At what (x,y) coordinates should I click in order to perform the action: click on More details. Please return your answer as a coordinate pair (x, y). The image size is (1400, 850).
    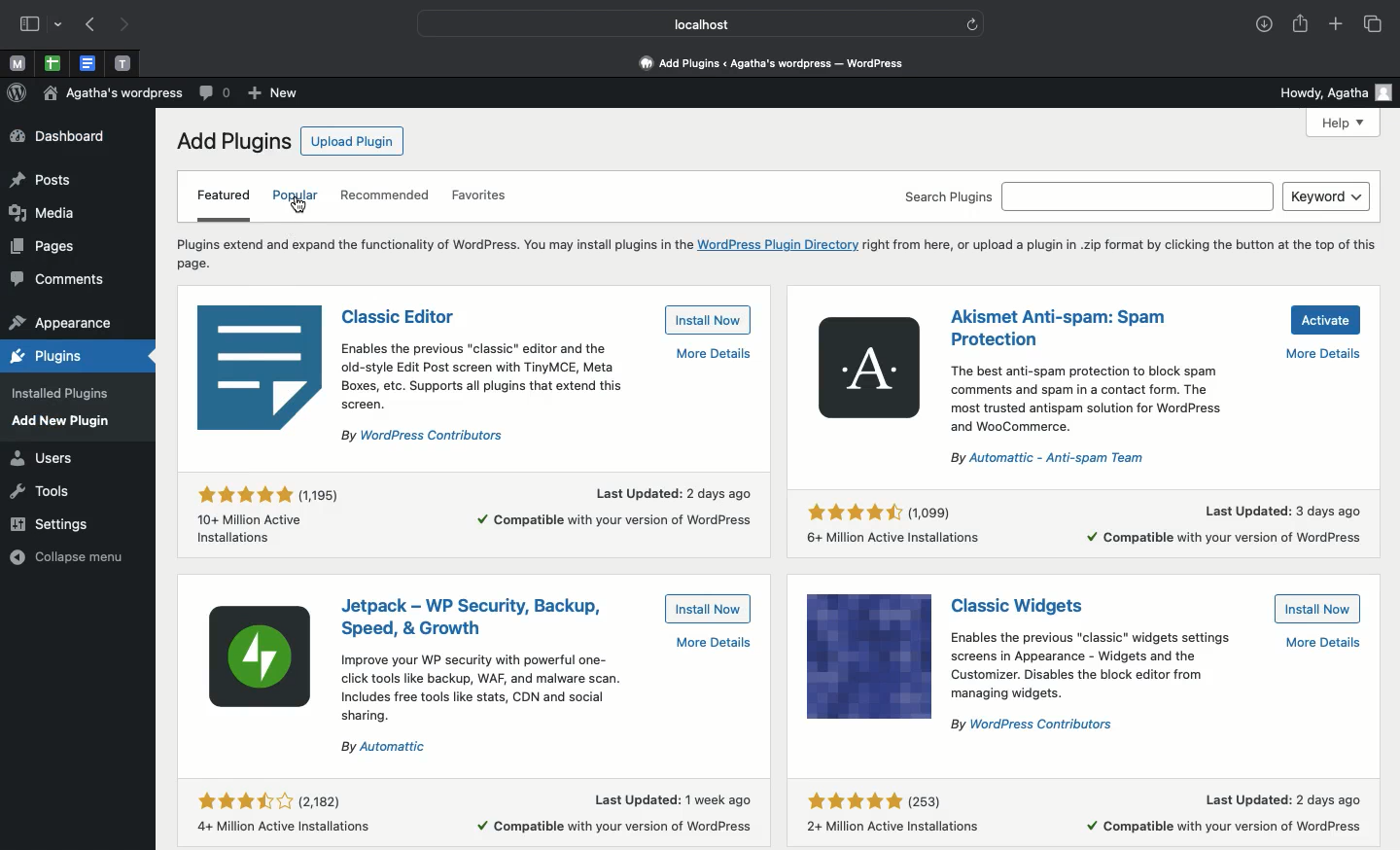
    Looking at the image, I should click on (1223, 526).